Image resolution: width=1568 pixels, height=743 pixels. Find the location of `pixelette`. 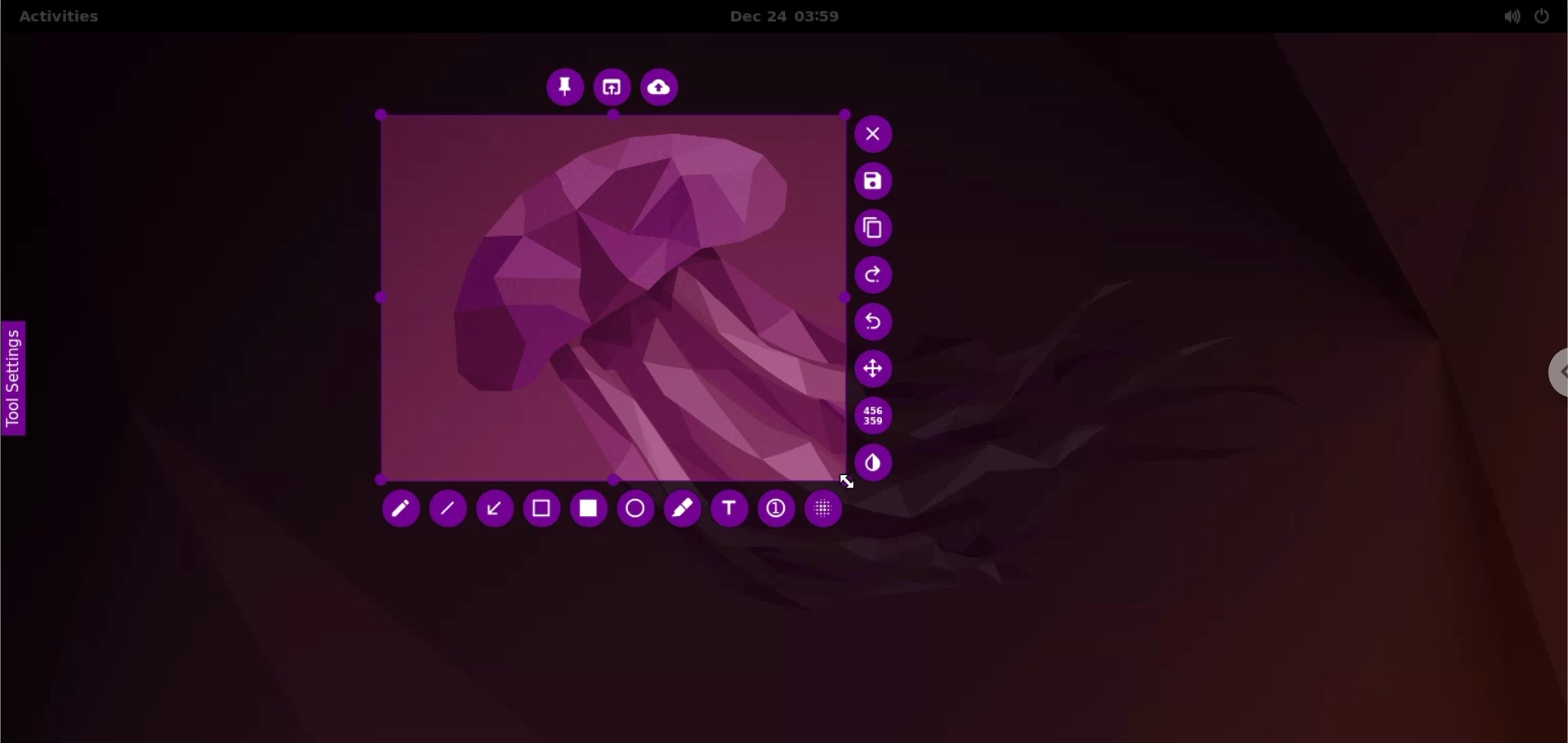

pixelette is located at coordinates (831, 510).